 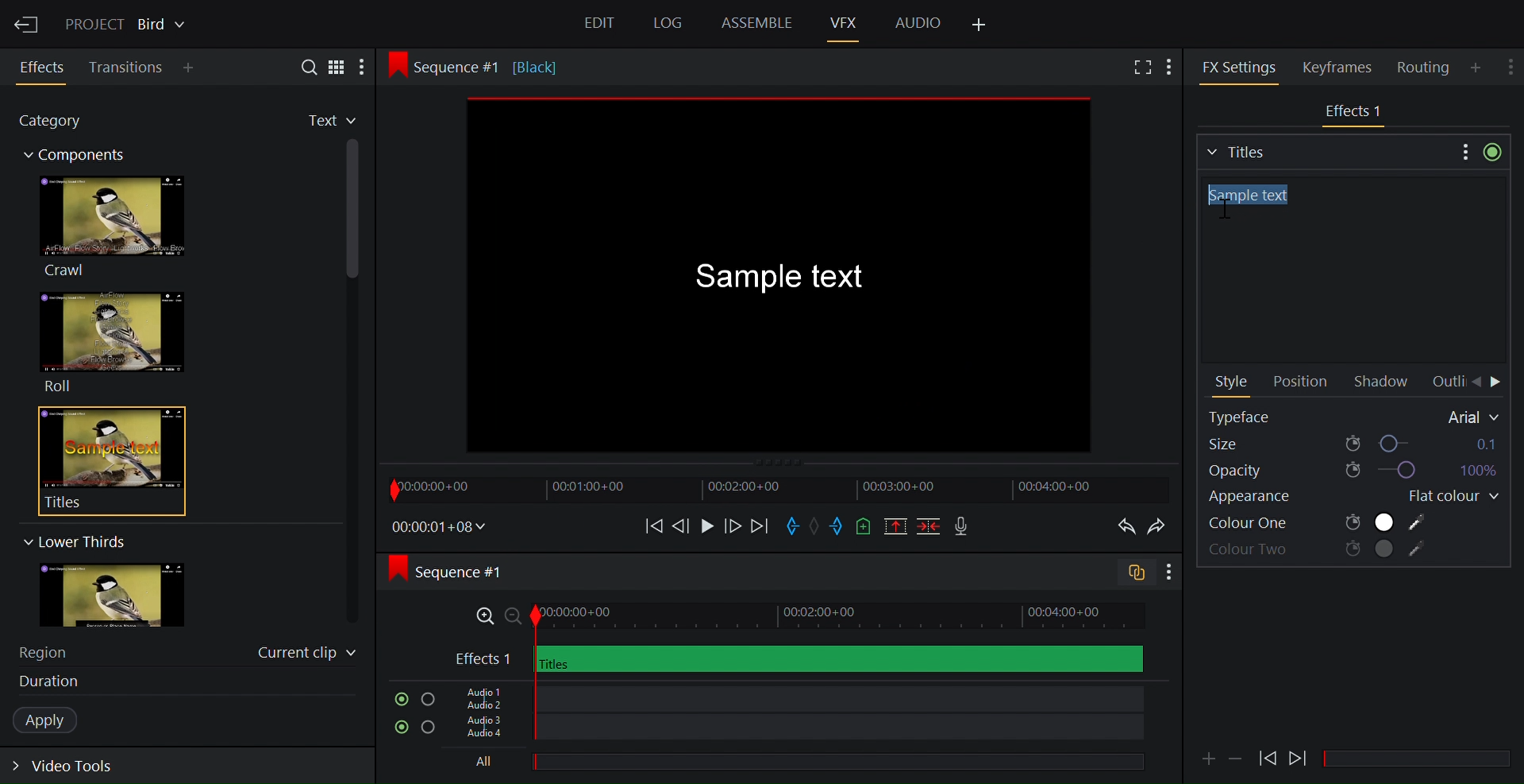 What do you see at coordinates (1318, 523) in the screenshot?
I see `Colour One, Colour Two` at bounding box center [1318, 523].